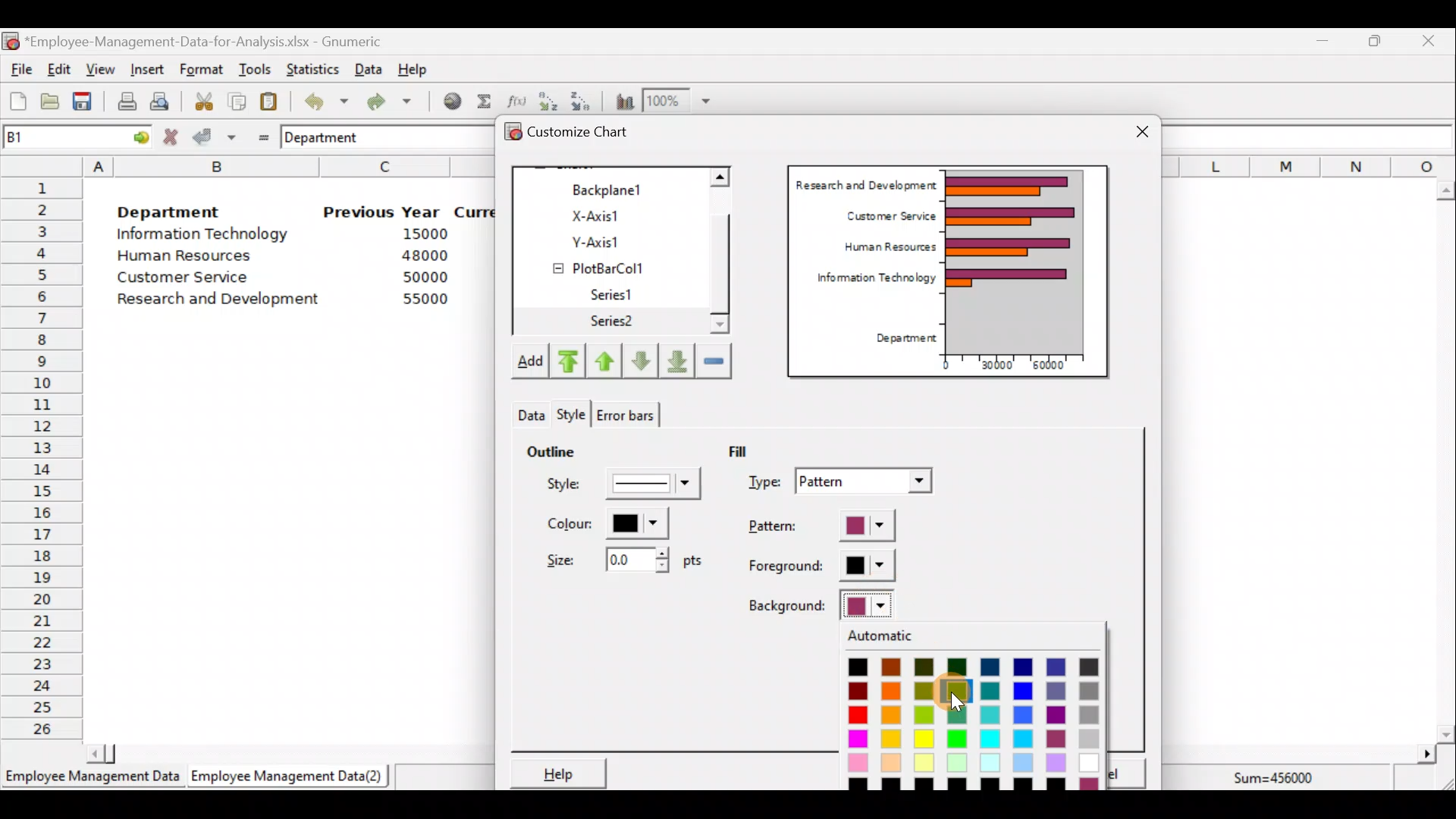 Image resolution: width=1456 pixels, height=819 pixels. I want to click on go to, so click(135, 135).